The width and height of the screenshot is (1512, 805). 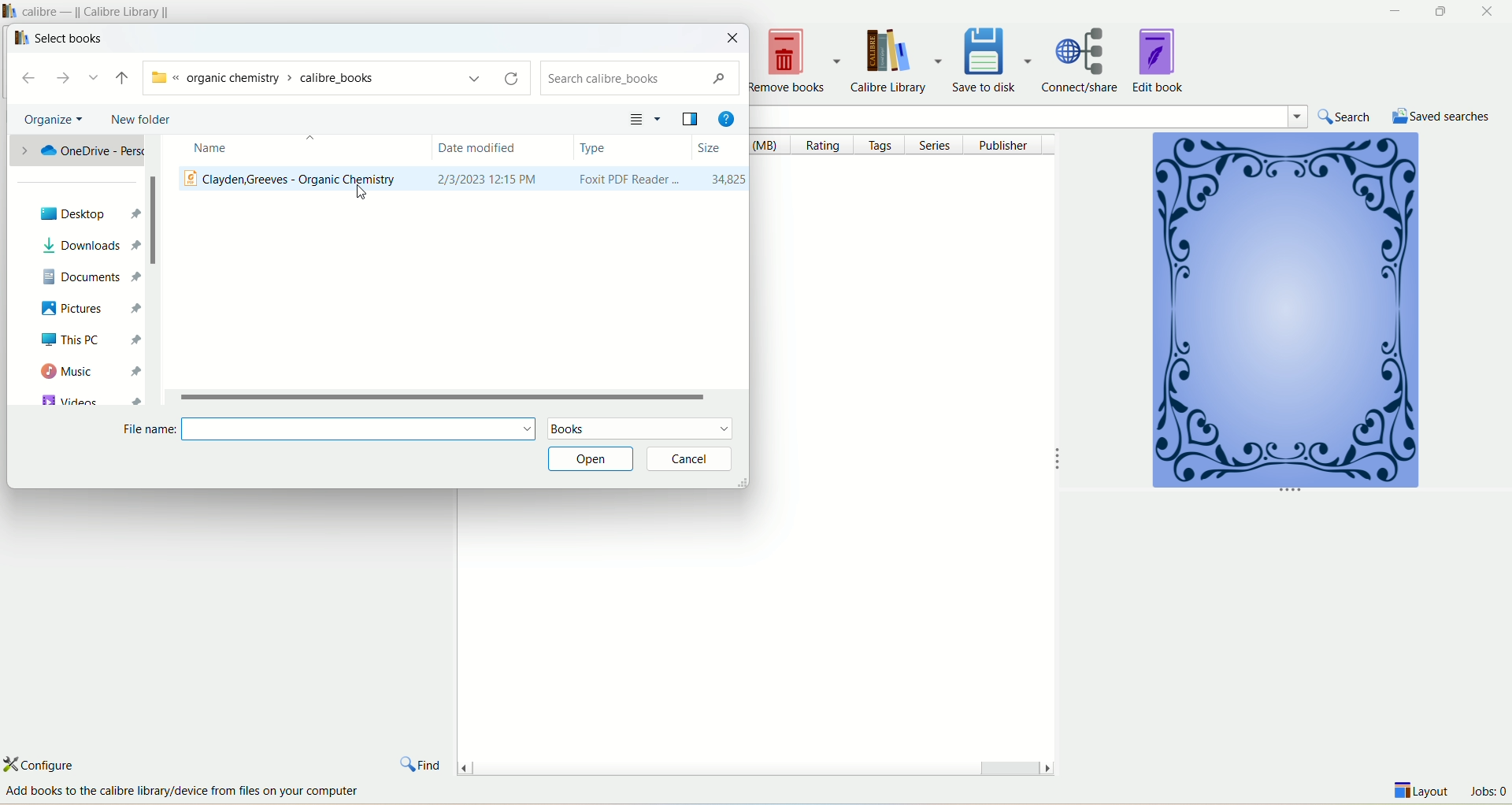 What do you see at coordinates (361, 195) in the screenshot?
I see `cursor` at bounding box center [361, 195].